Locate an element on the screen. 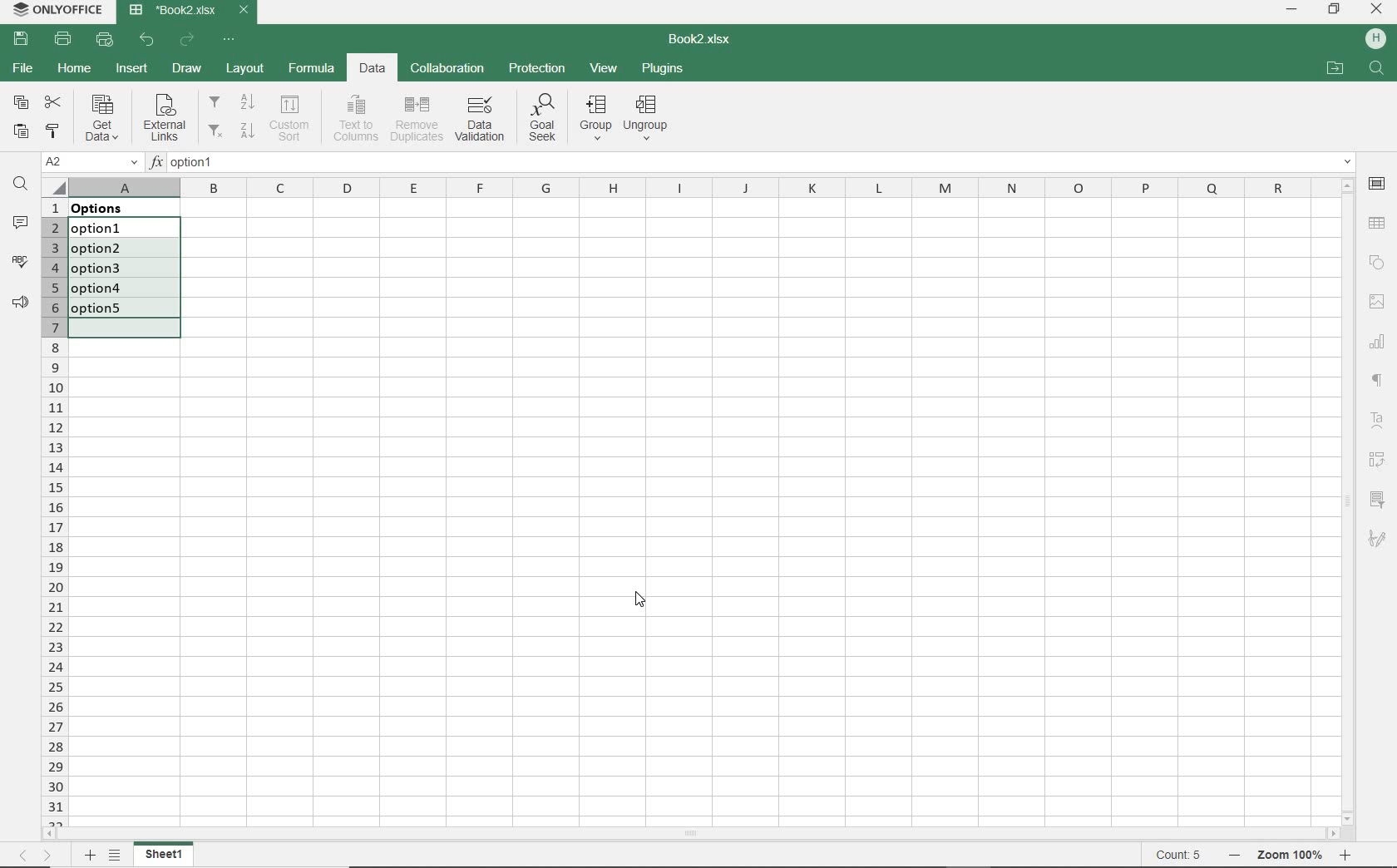 This screenshot has height=868, width=1397. Text to columns is located at coordinates (356, 116).